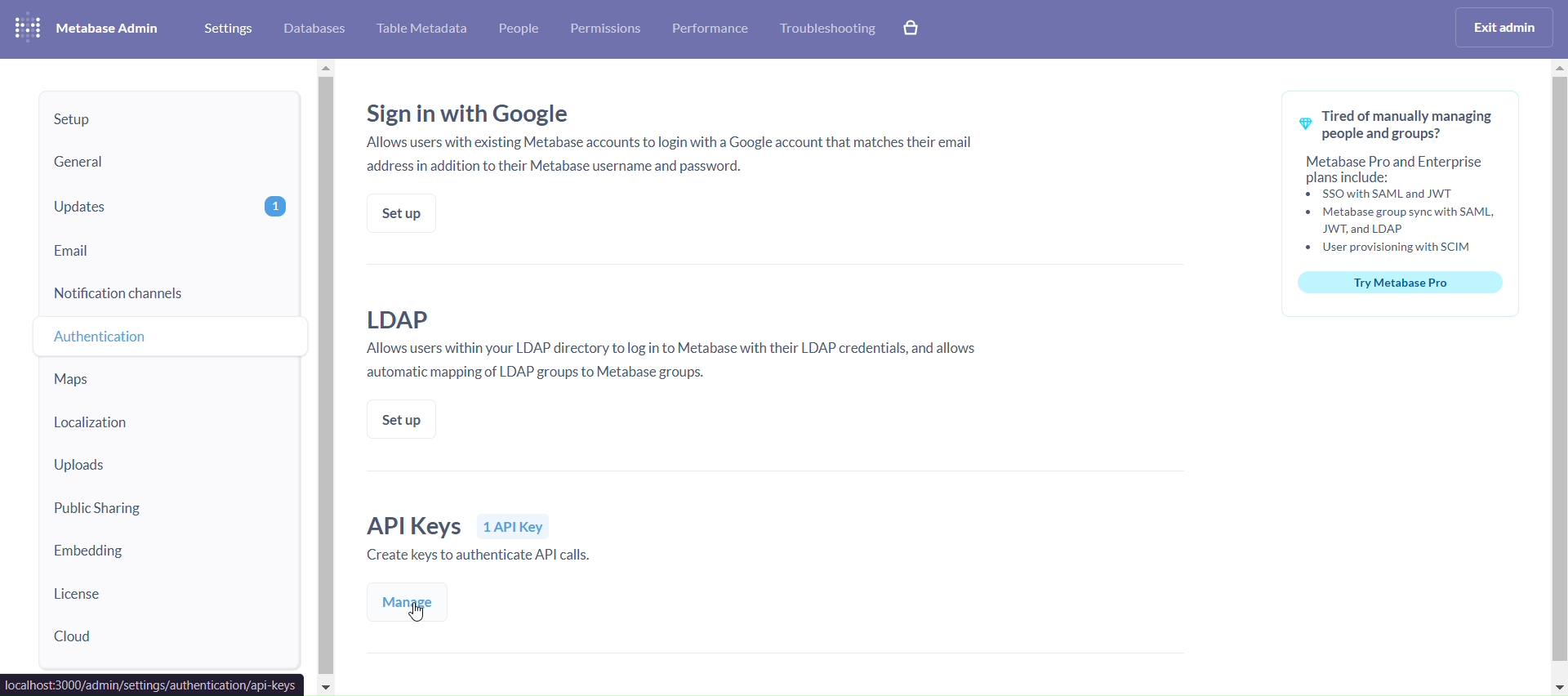  Describe the element at coordinates (317, 29) in the screenshot. I see `database` at that location.